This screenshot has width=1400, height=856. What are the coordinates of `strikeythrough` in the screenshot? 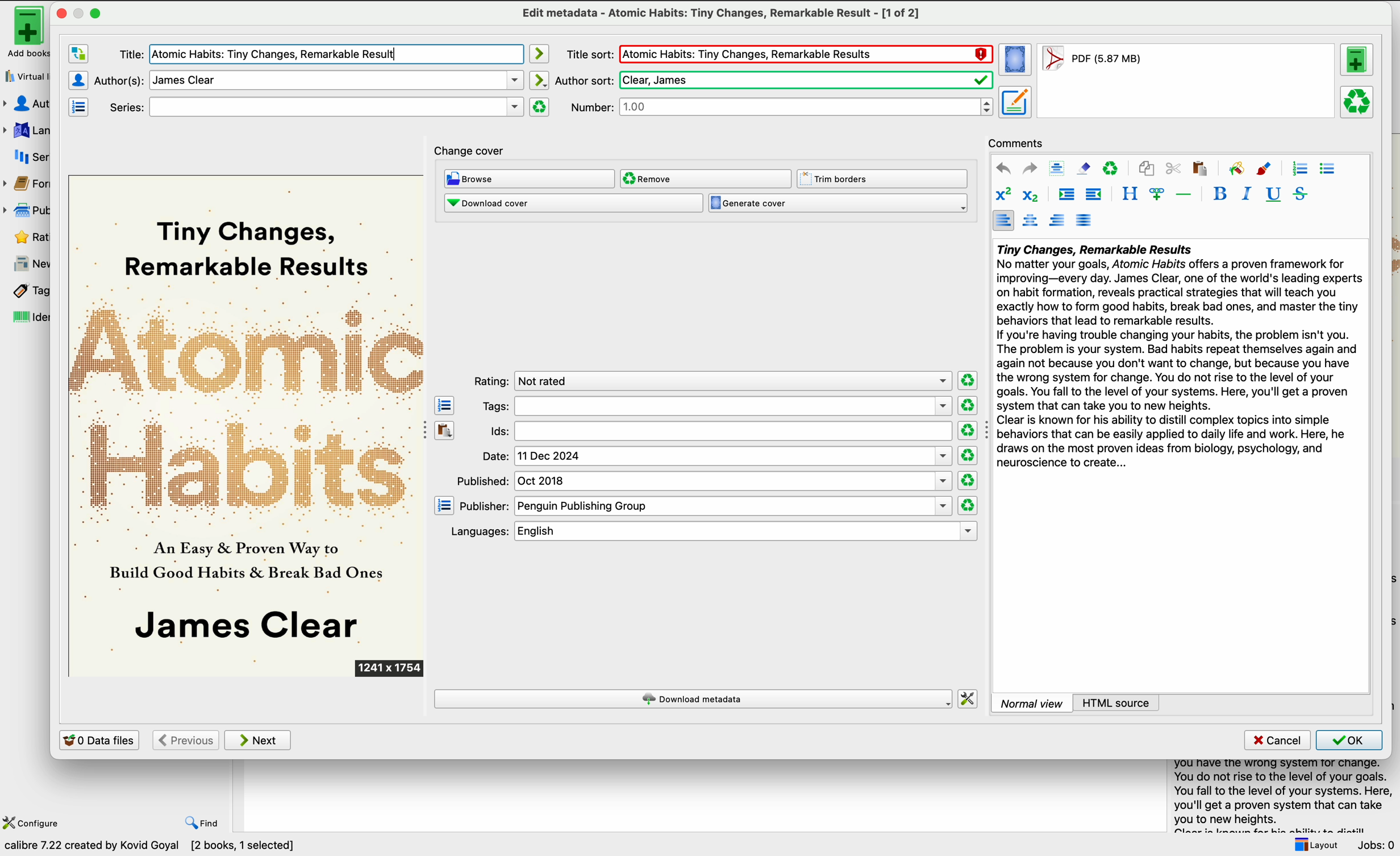 It's located at (1301, 194).